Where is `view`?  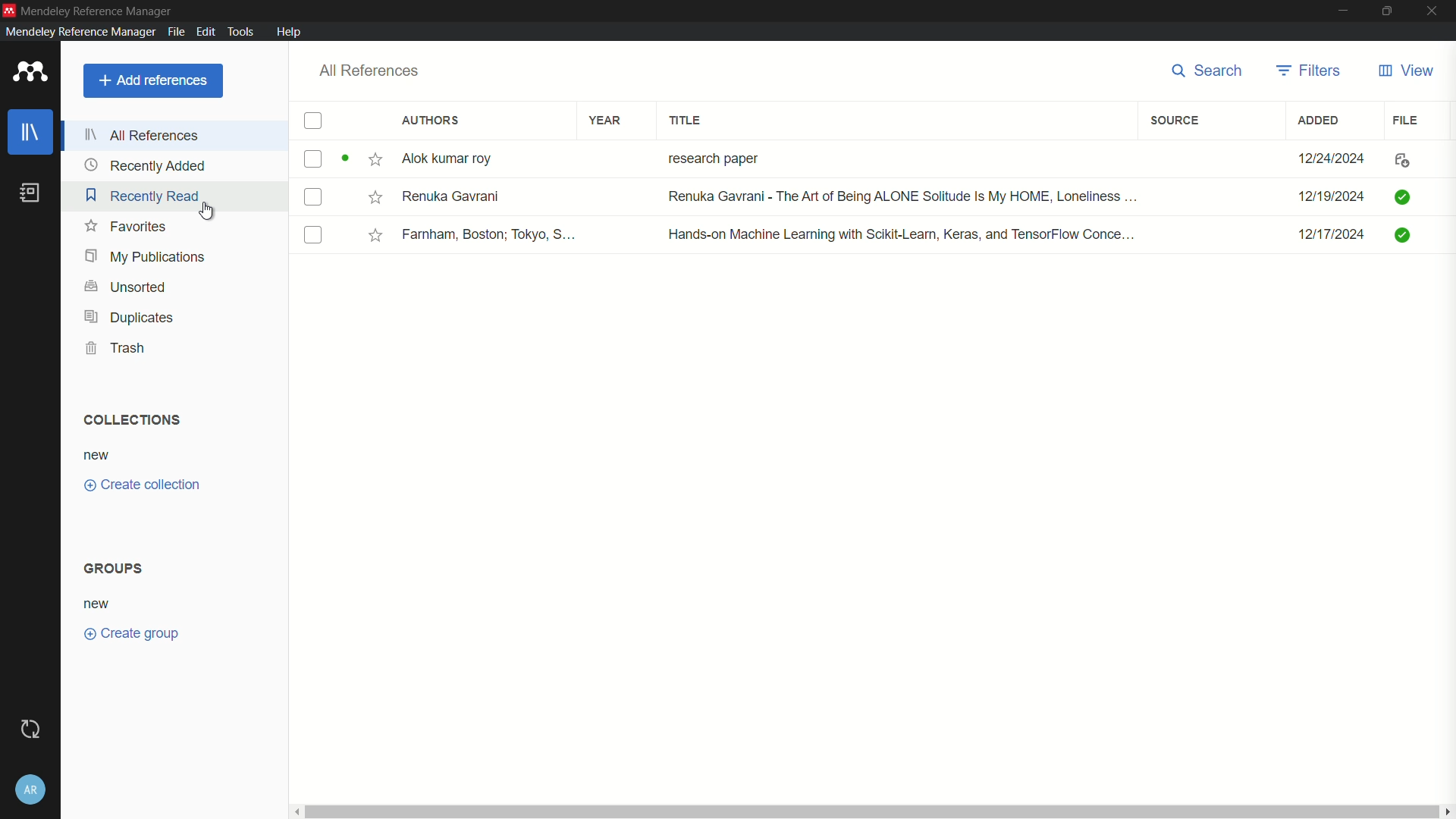
view is located at coordinates (1407, 71).